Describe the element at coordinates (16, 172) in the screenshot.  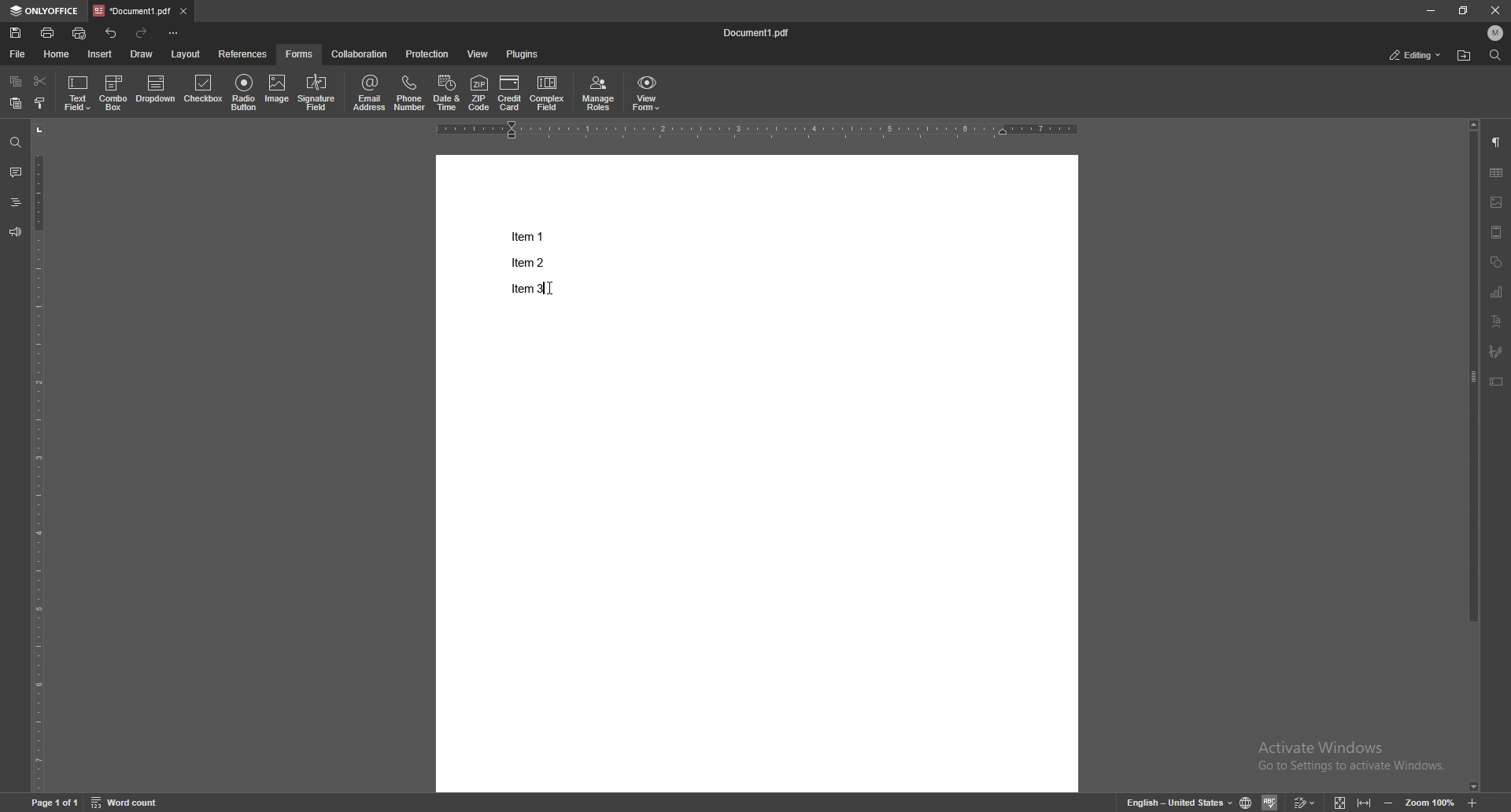
I see `comment` at that location.